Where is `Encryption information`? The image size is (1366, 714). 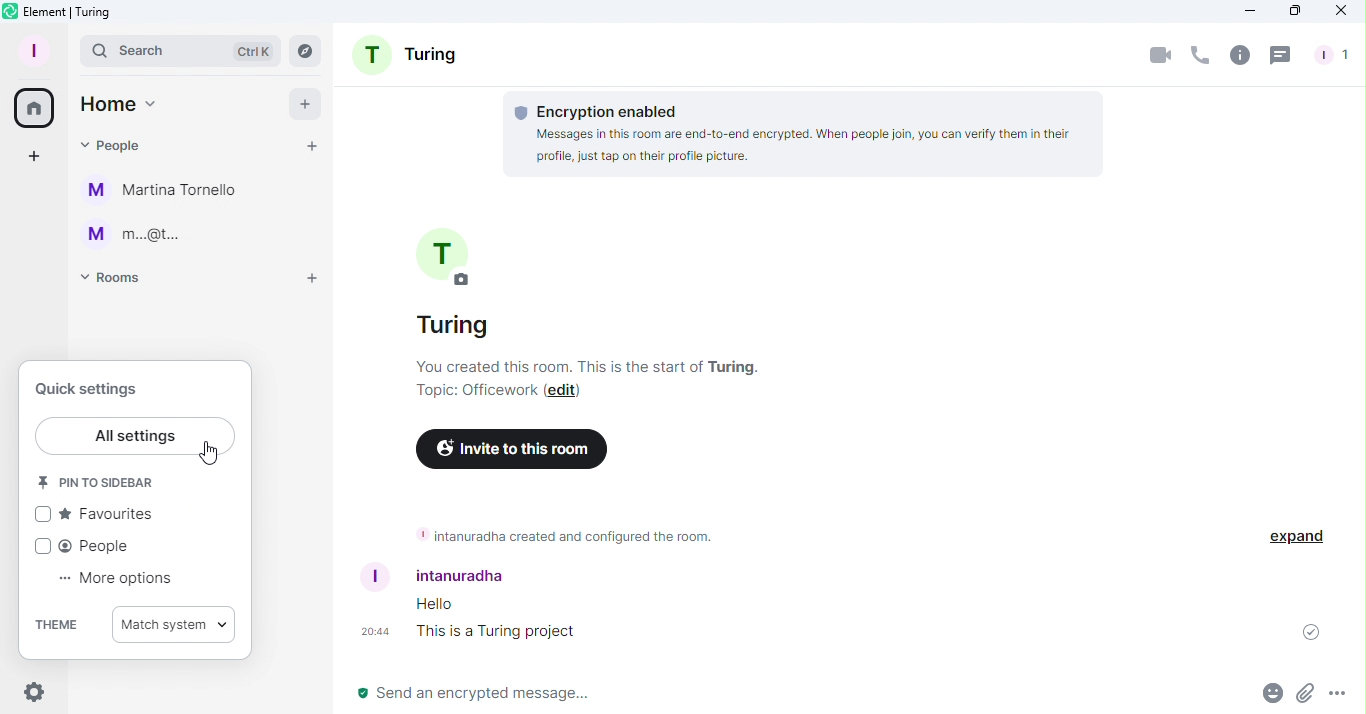 Encryption information is located at coordinates (808, 130).